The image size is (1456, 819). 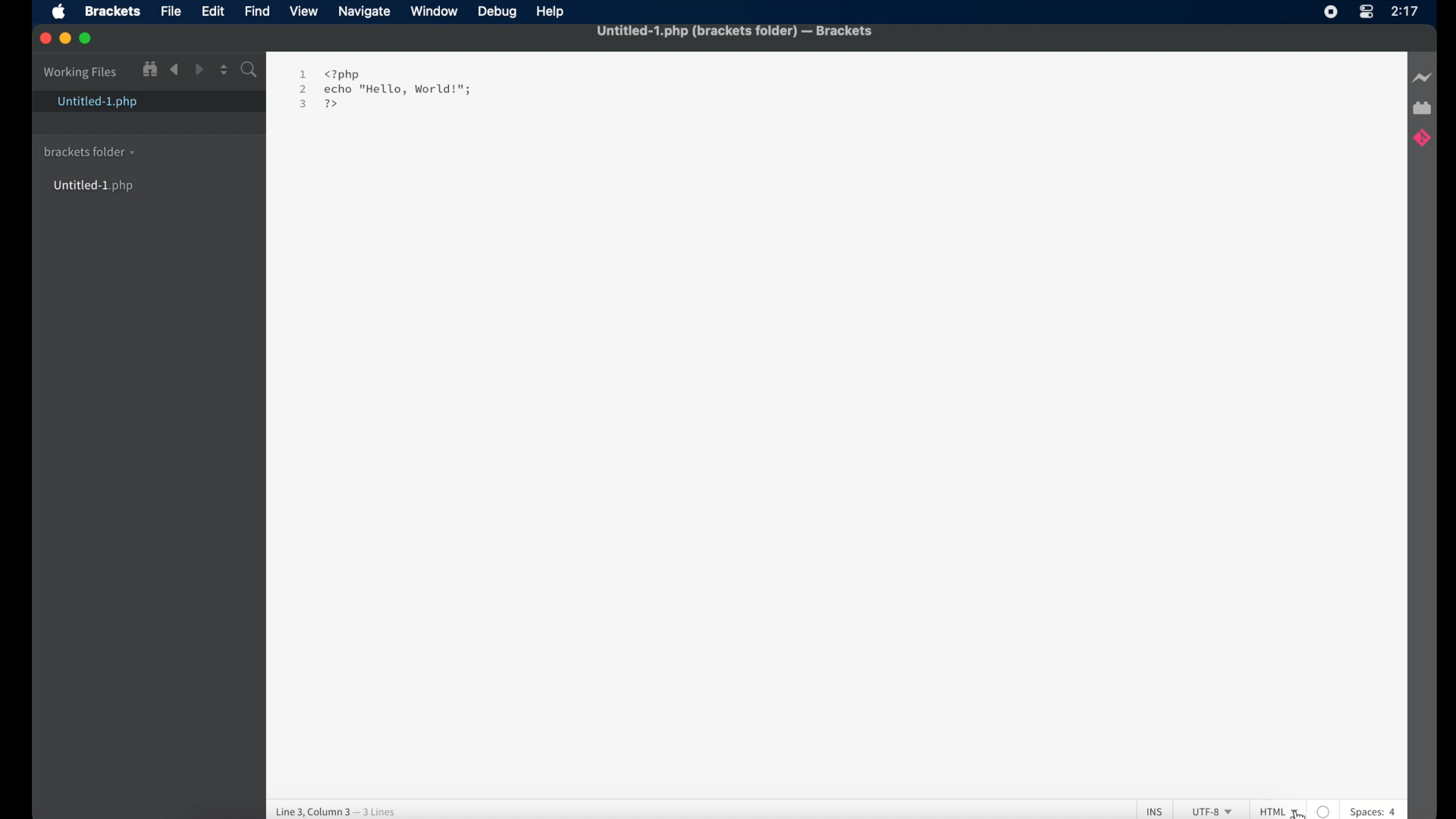 What do you see at coordinates (96, 187) in the screenshot?
I see `untitled-1 ph` at bounding box center [96, 187].